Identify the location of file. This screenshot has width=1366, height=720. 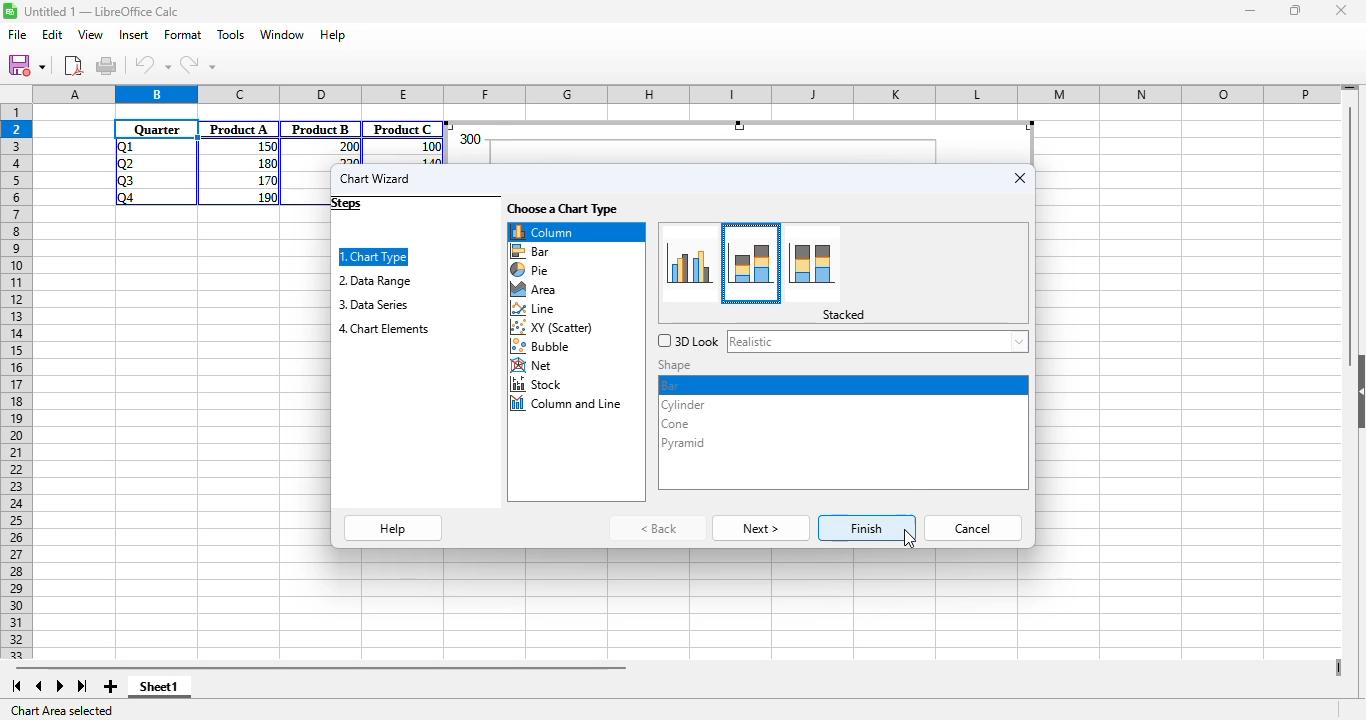
(18, 35).